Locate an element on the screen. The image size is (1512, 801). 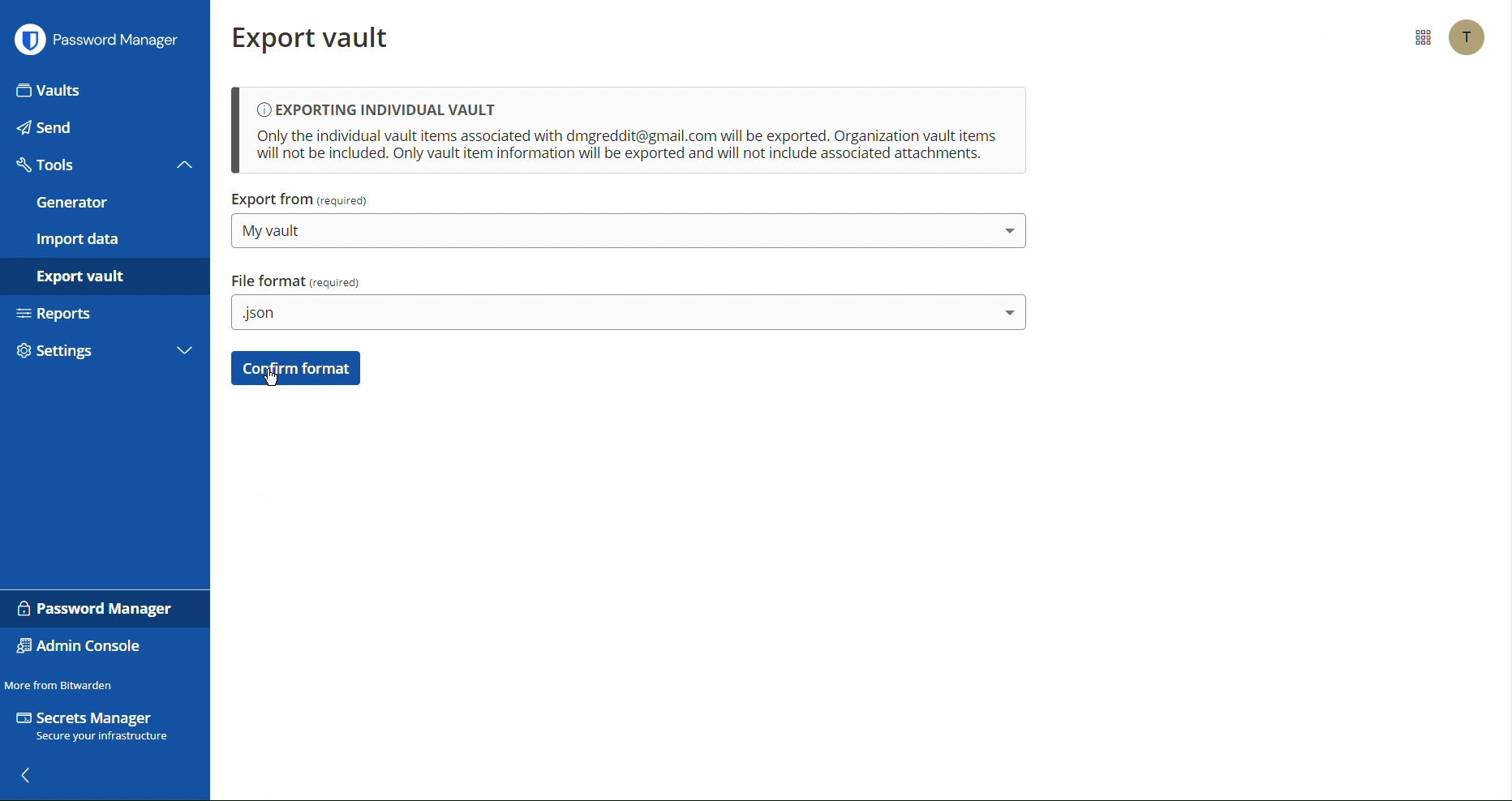
Exporting Individual Vault is located at coordinates (628, 131).